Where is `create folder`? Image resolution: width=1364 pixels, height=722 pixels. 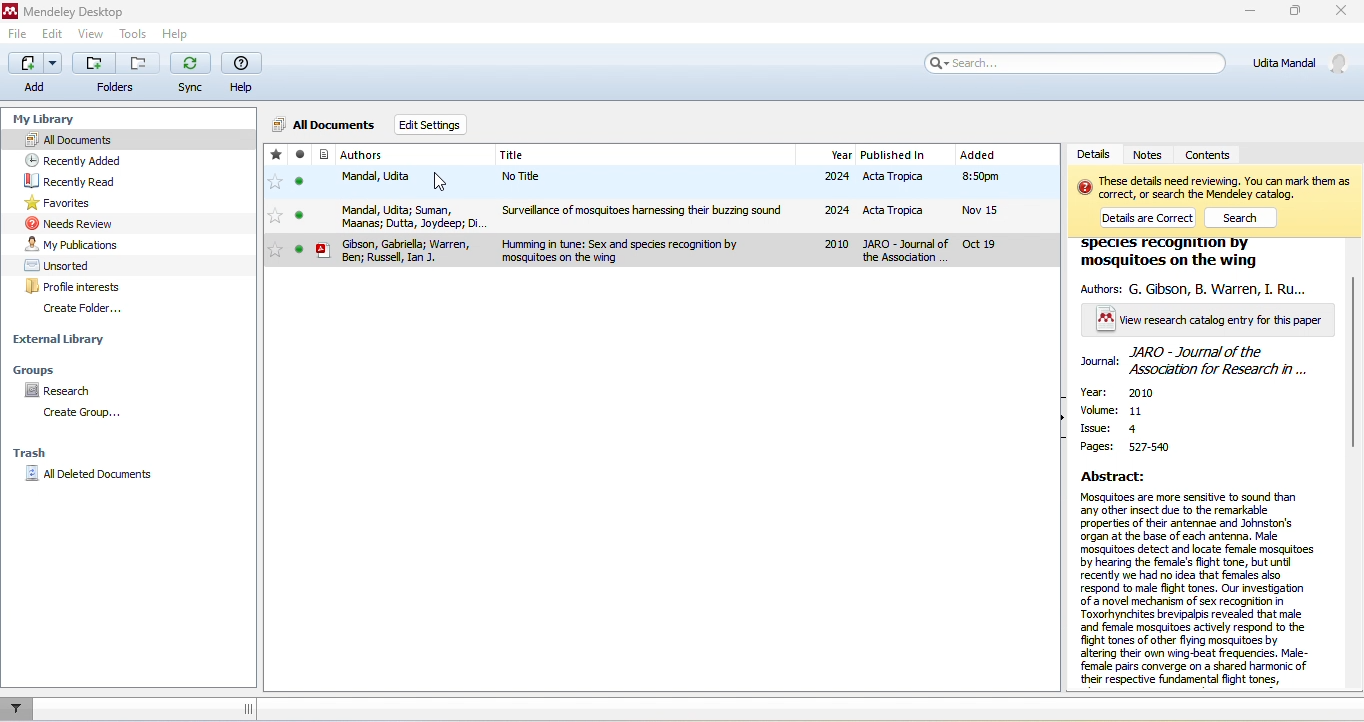
create folder is located at coordinates (101, 311).